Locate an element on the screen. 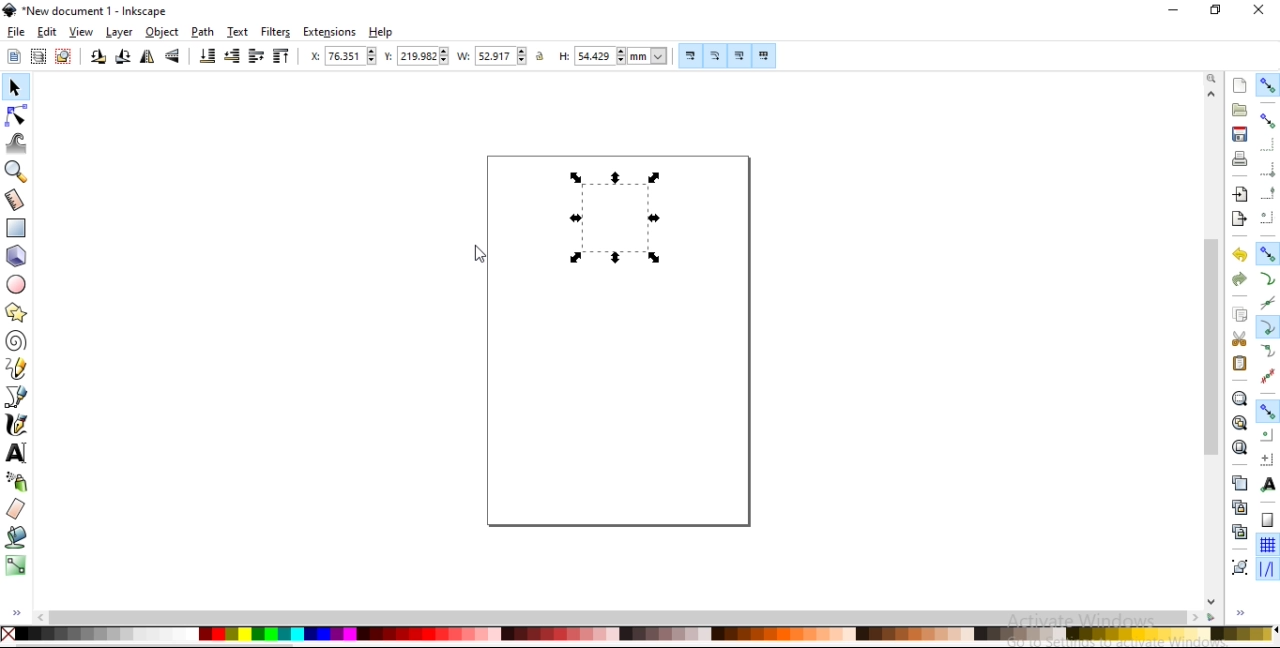 Image resolution: width=1280 pixels, height=648 pixels. extensions is located at coordinates (329, 33).